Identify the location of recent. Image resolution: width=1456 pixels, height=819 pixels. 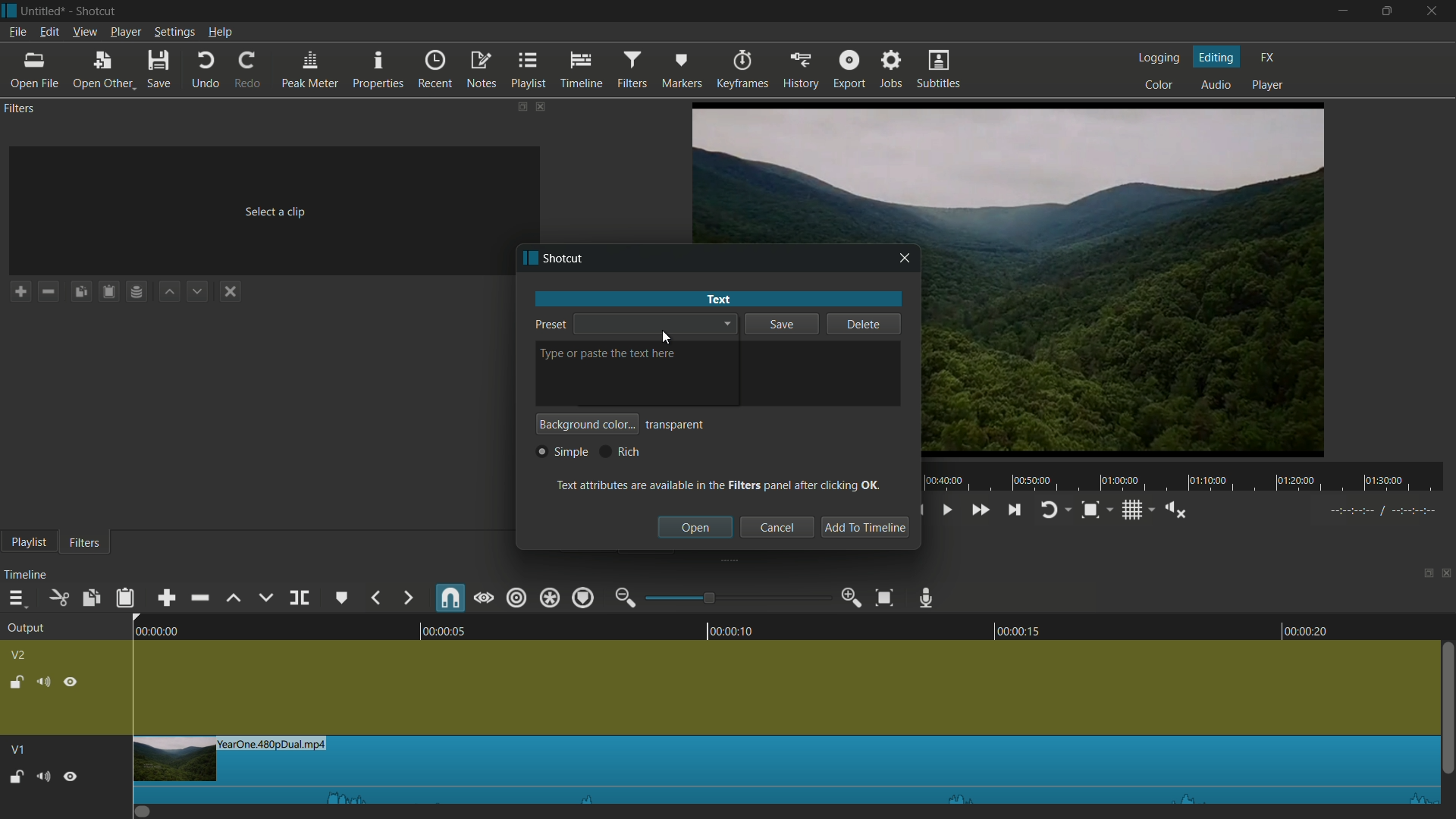
(436, 71).